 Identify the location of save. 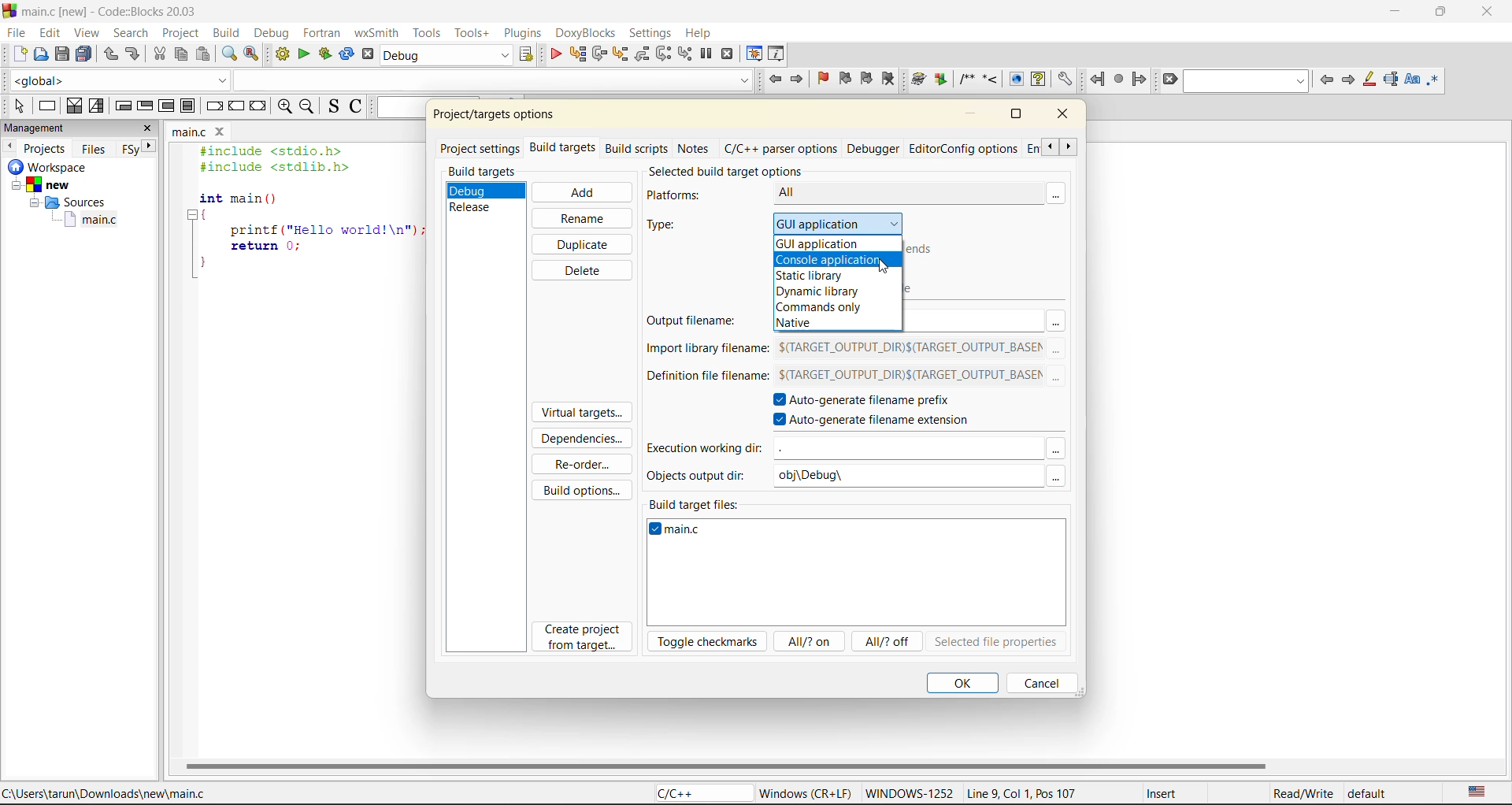
(65, 54).